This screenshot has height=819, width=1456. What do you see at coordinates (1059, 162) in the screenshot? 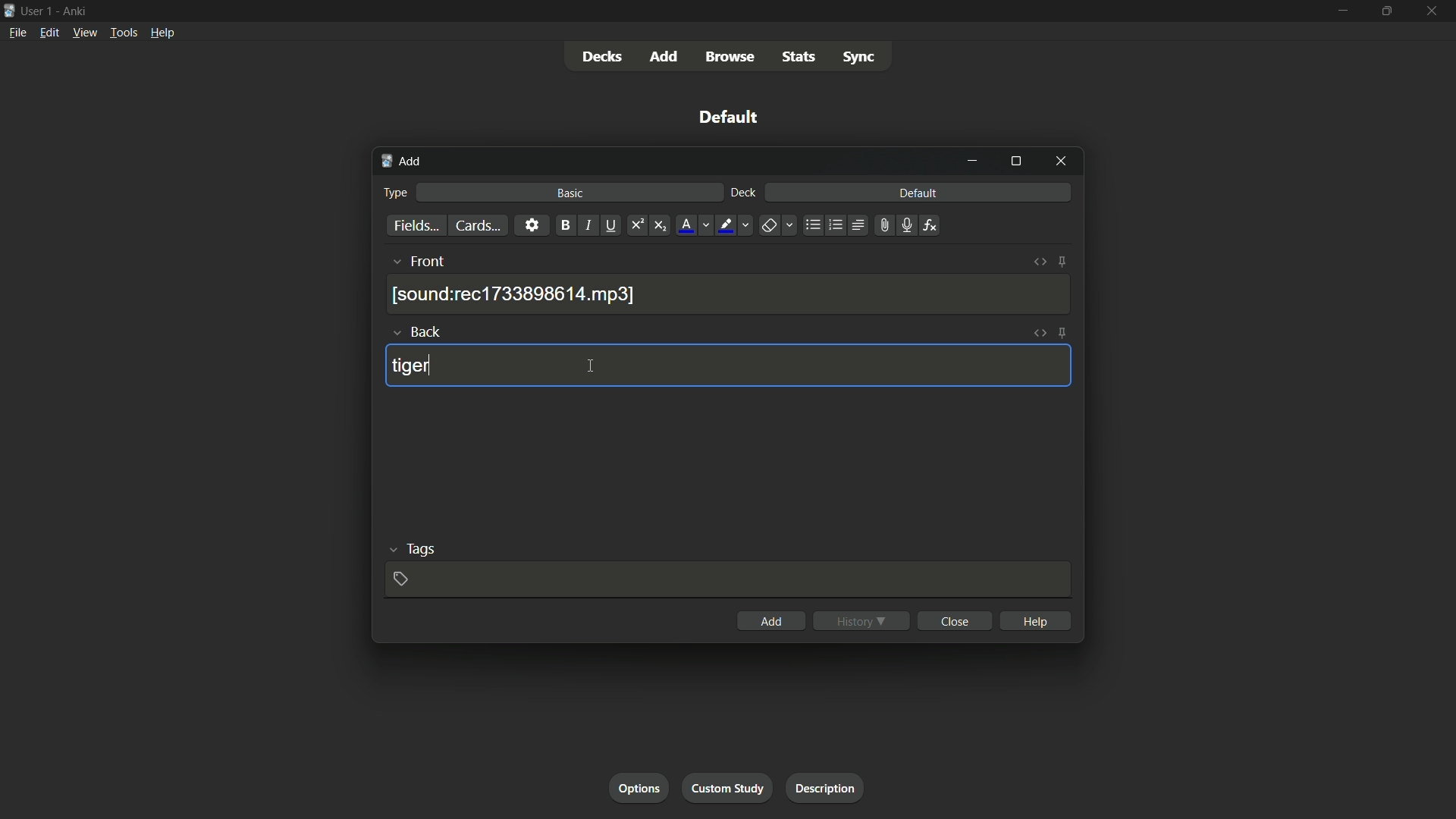
I see `close window` at bounding box center [1059, 162].